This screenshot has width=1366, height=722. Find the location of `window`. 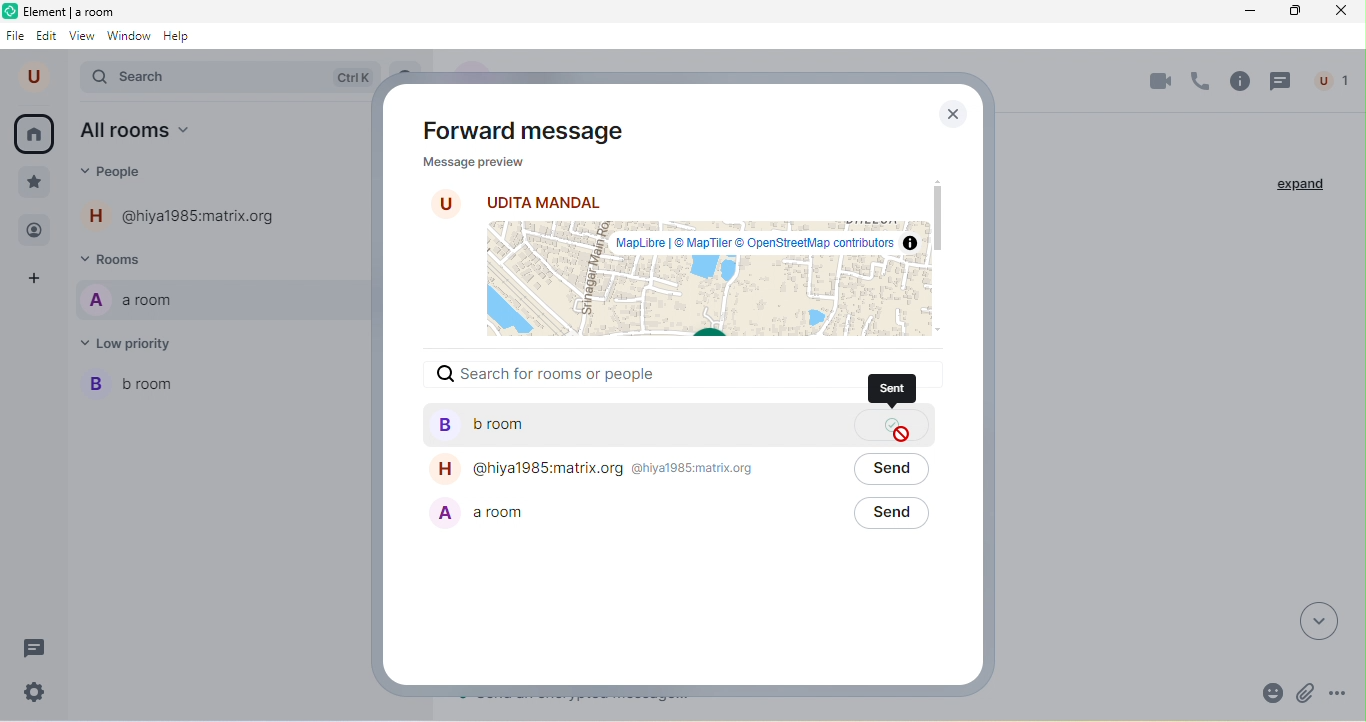

window is located at coordinates (129, 37).